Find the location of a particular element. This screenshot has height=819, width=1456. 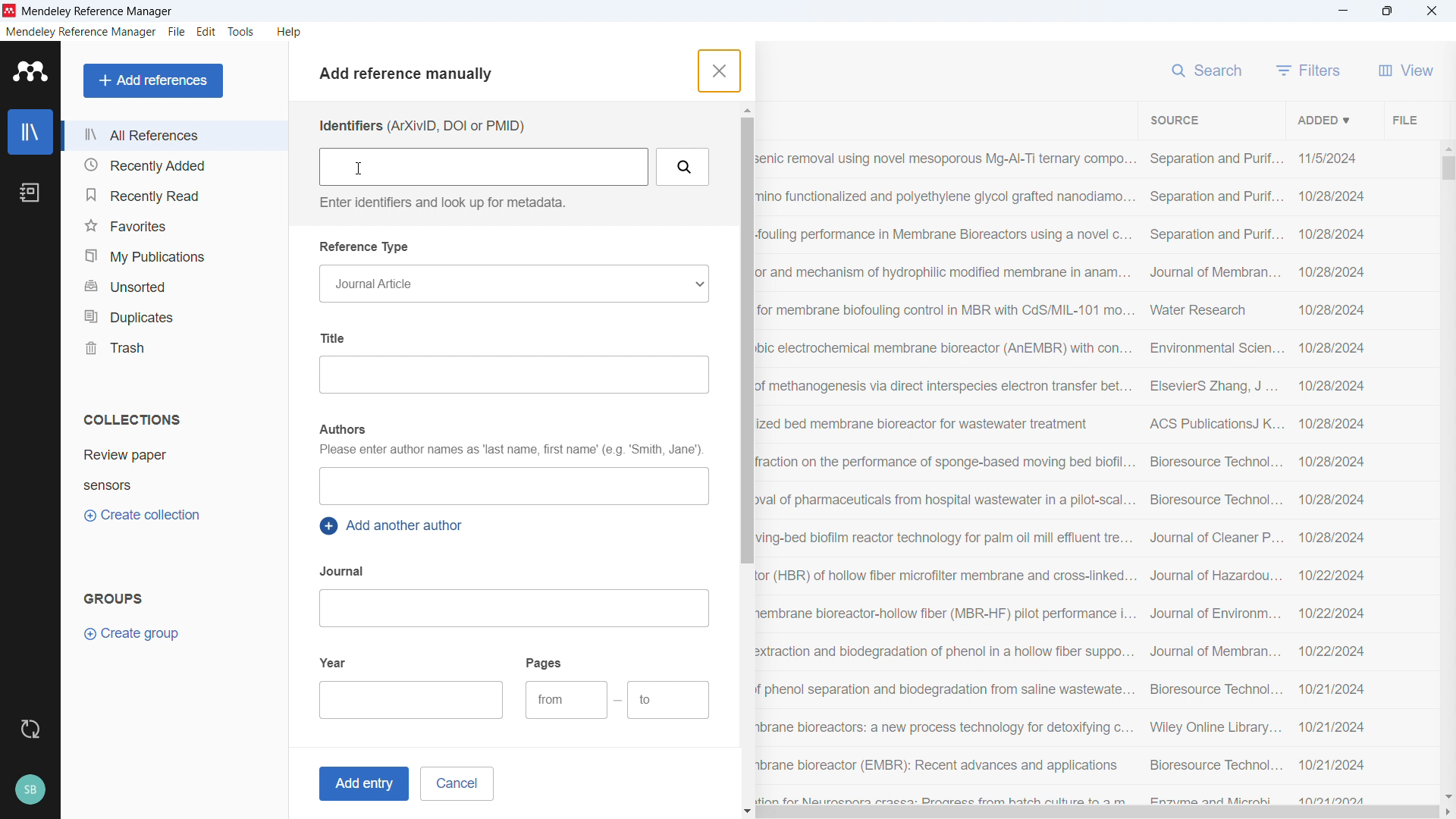

close pane is located at coordinates (717, 71).